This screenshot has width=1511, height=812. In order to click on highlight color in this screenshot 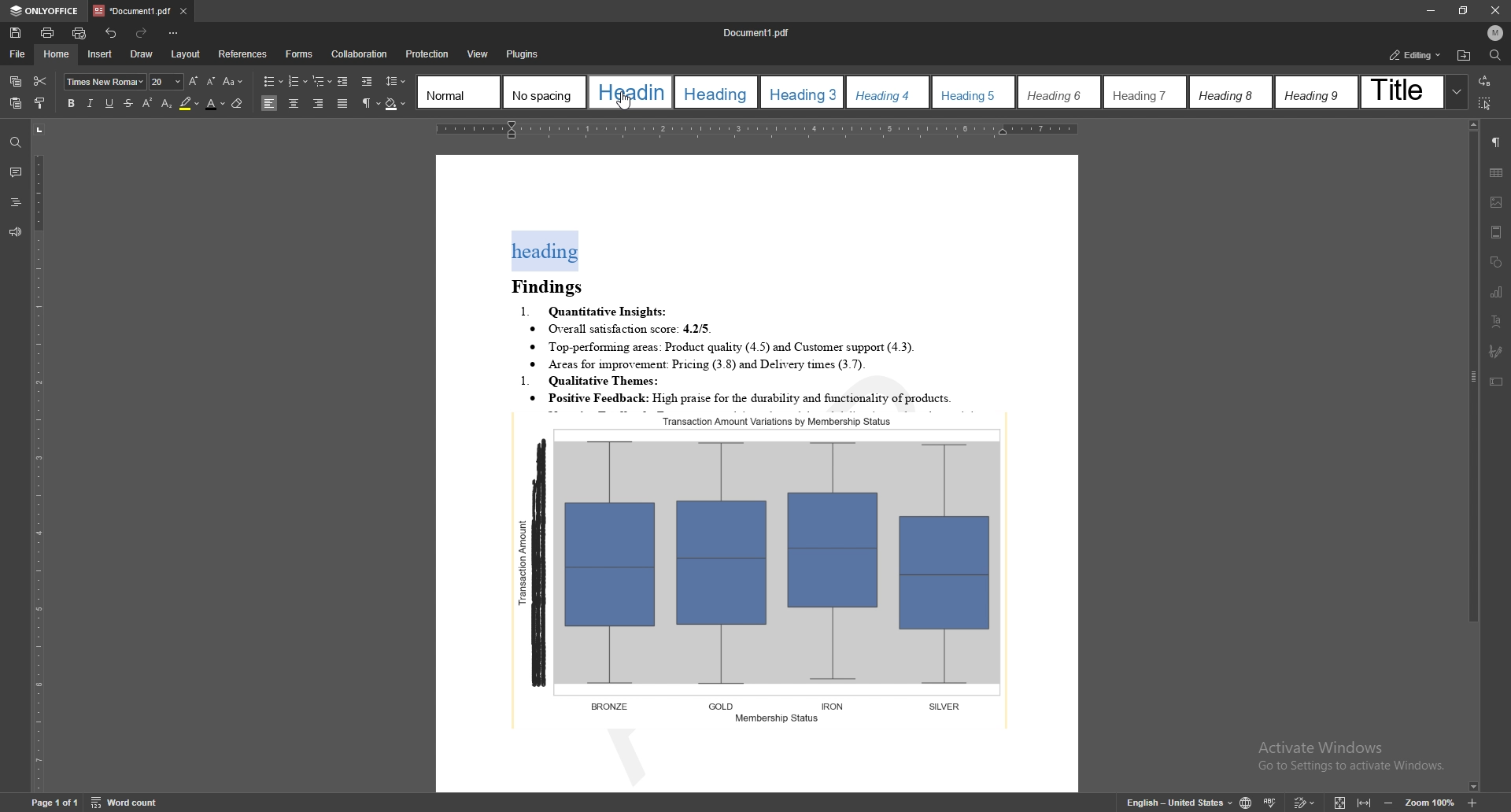, I will do `click(190, 104)`.